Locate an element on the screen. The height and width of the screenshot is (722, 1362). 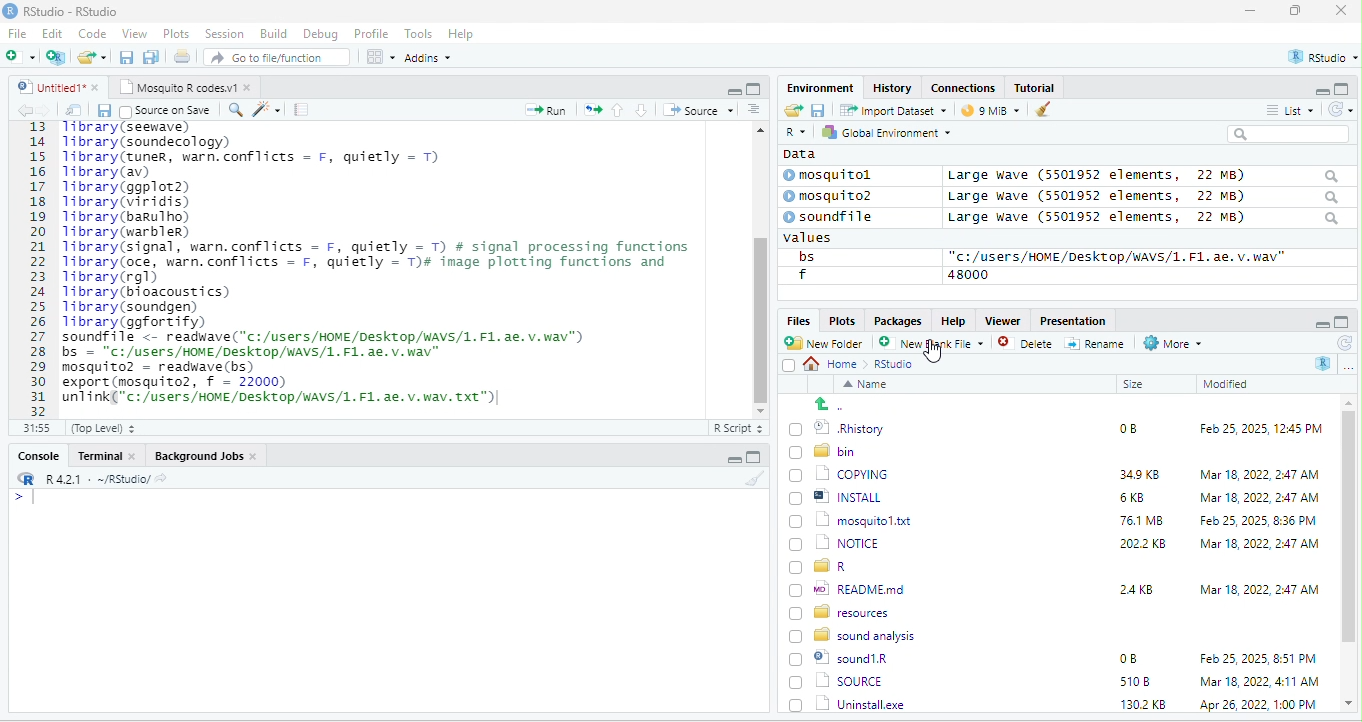
more is located at coordinates (1348, 366).